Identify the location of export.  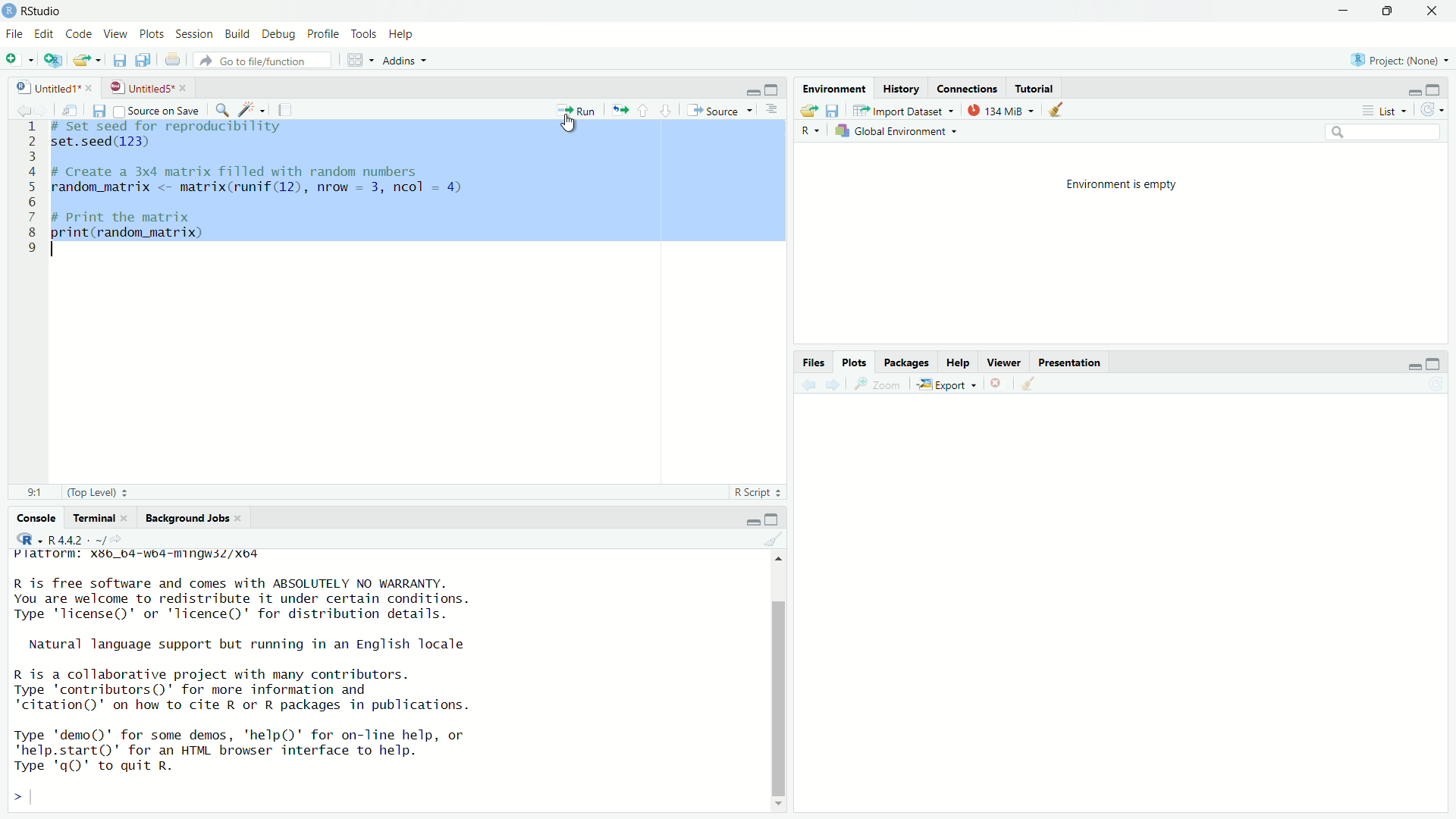
(86, 59).